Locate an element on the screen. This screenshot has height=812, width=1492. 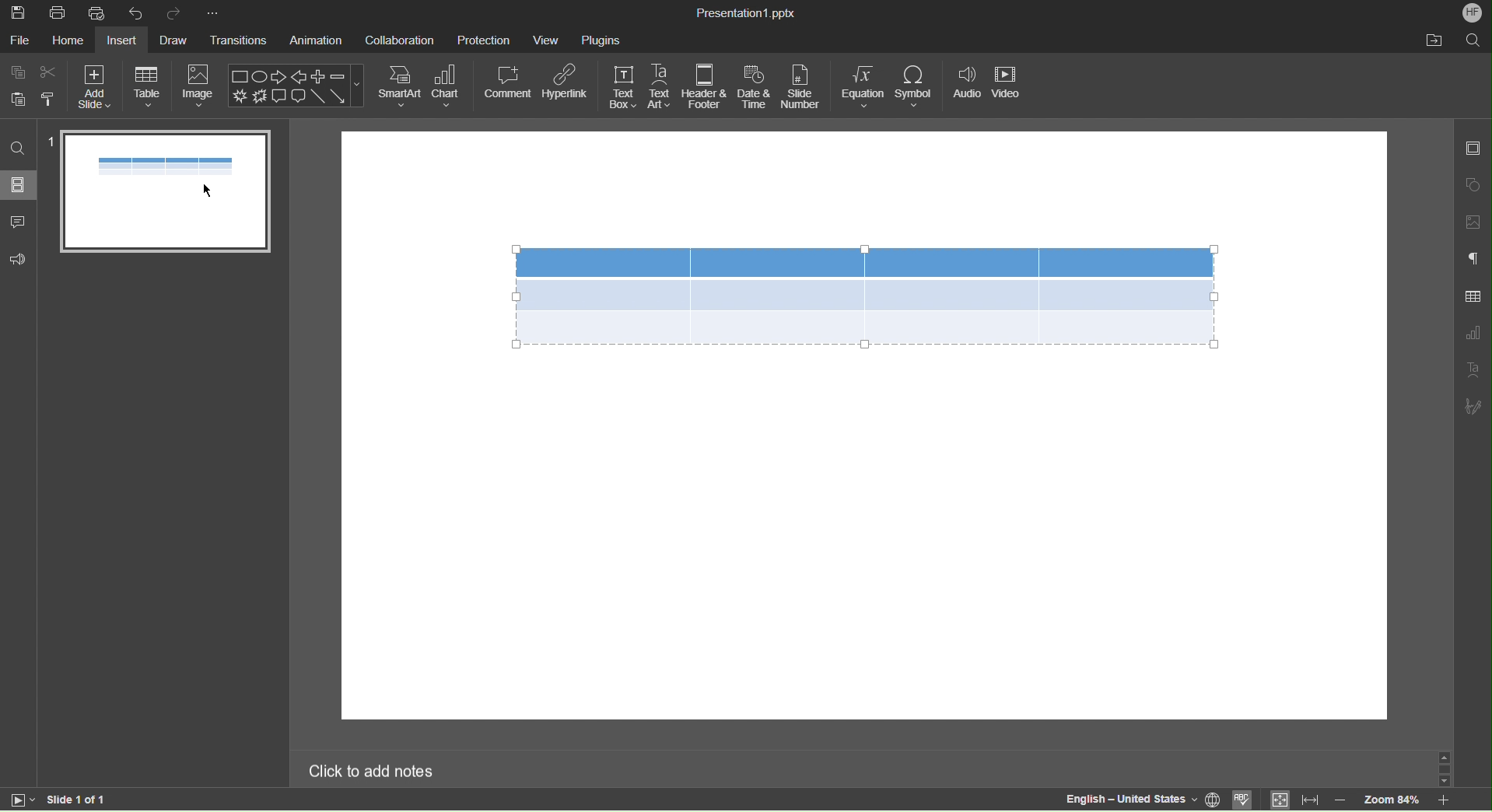
SmartArt is located at coordinates (401, 86).